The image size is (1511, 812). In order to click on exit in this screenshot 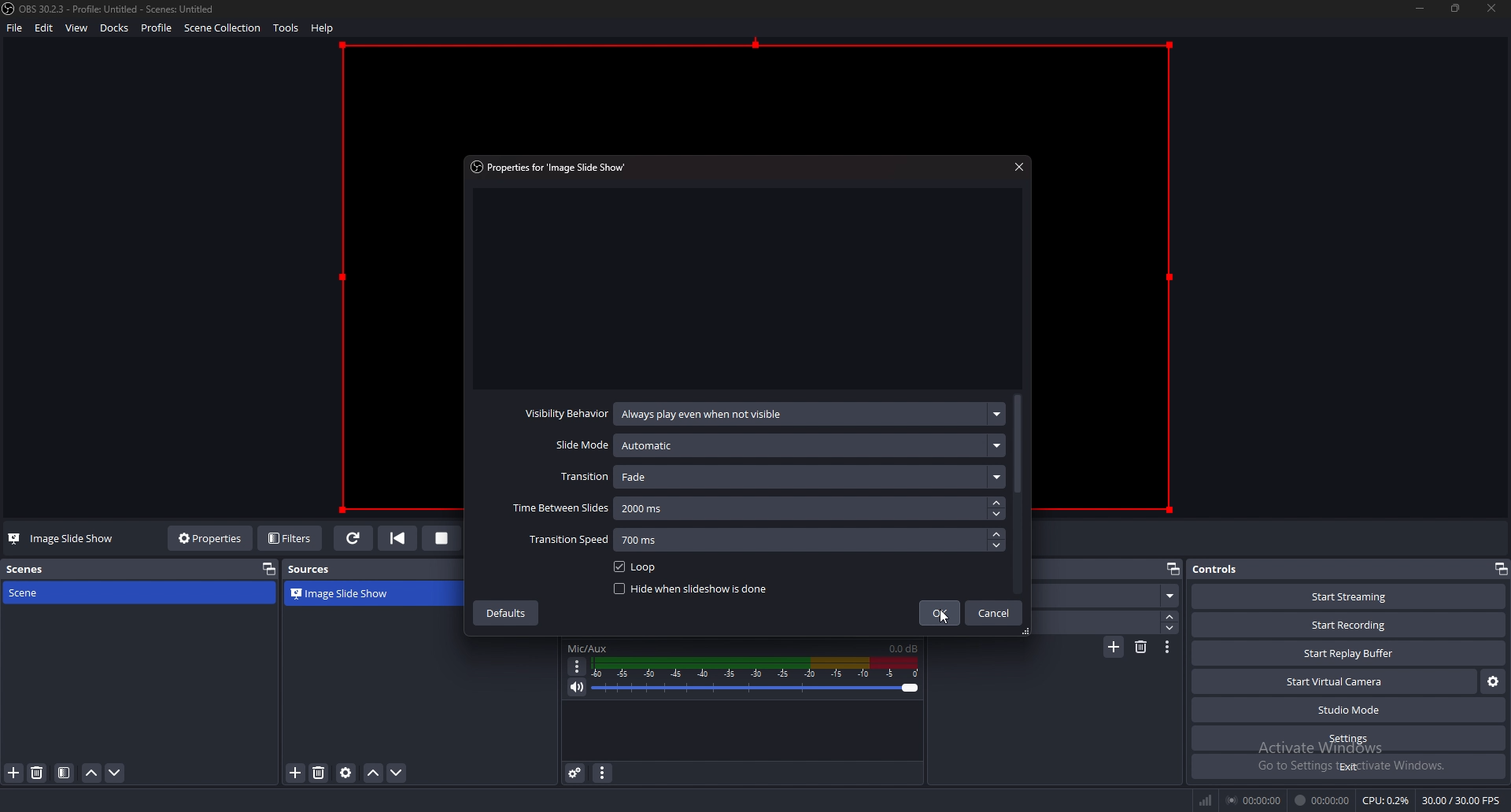, I will do `click(1347, 766)`.